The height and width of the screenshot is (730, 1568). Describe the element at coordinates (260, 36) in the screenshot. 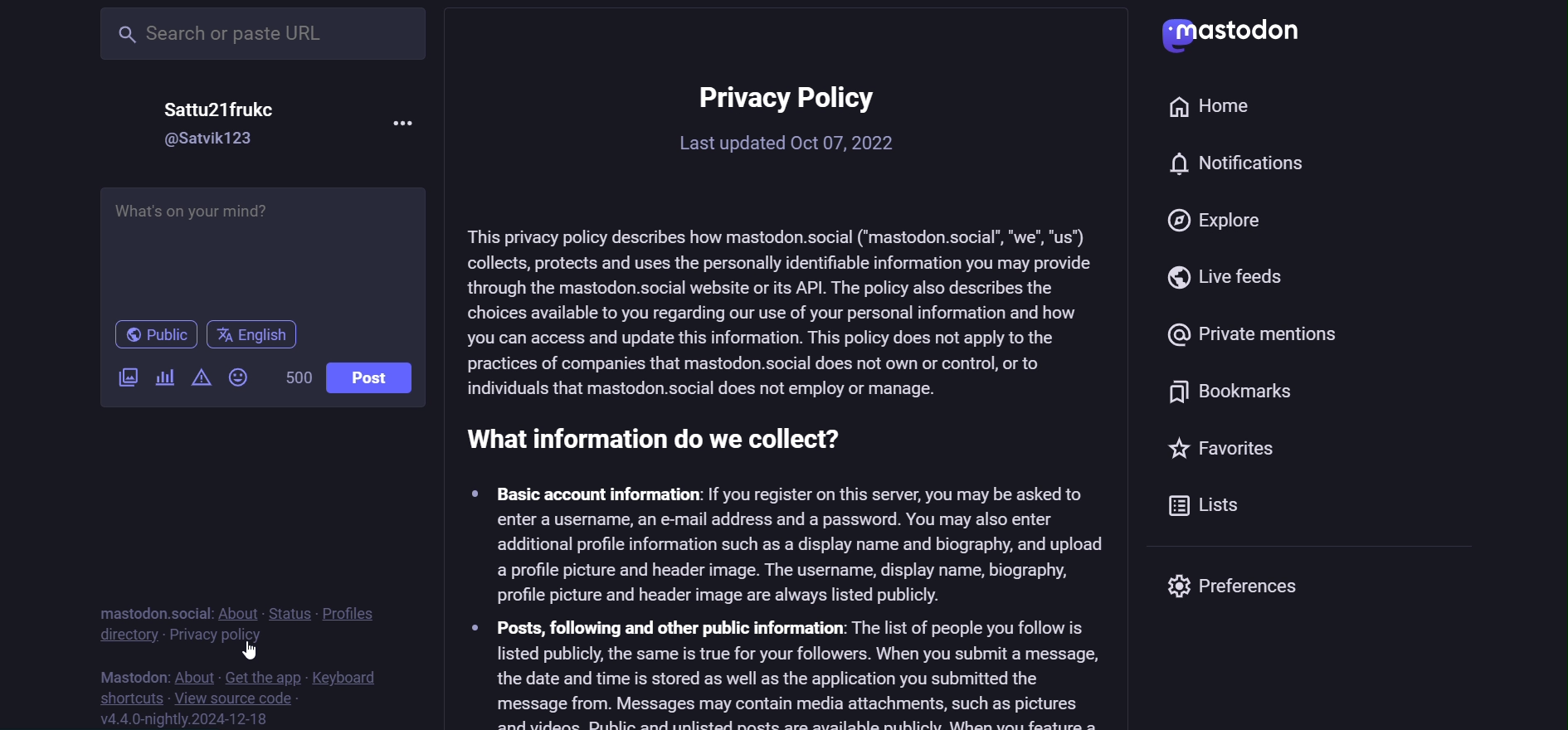

I see `search` at that location.